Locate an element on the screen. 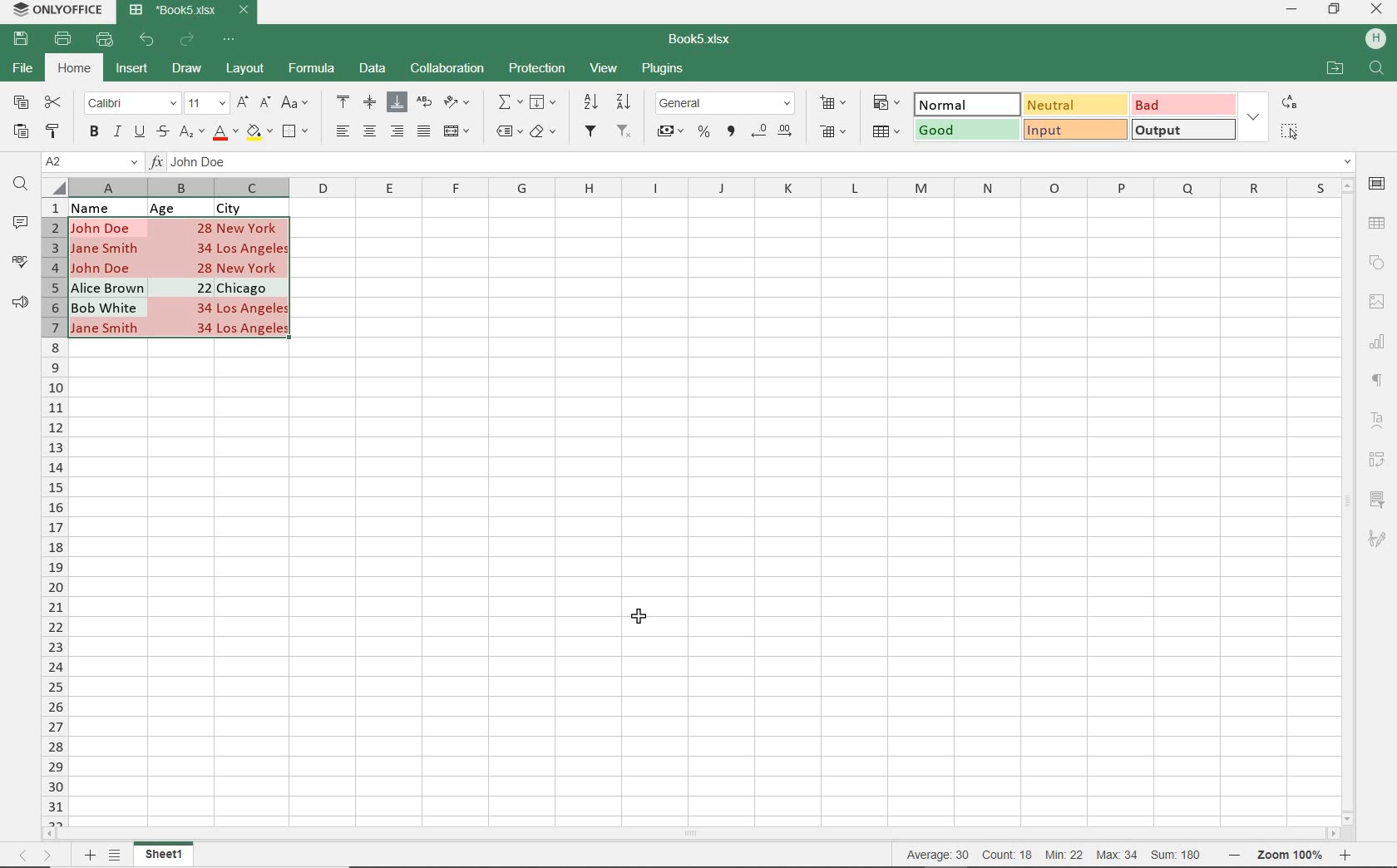 This screenshot has height=868, width=1397. INCREMENT FONT SIZE is located at coordinates (243, 102).